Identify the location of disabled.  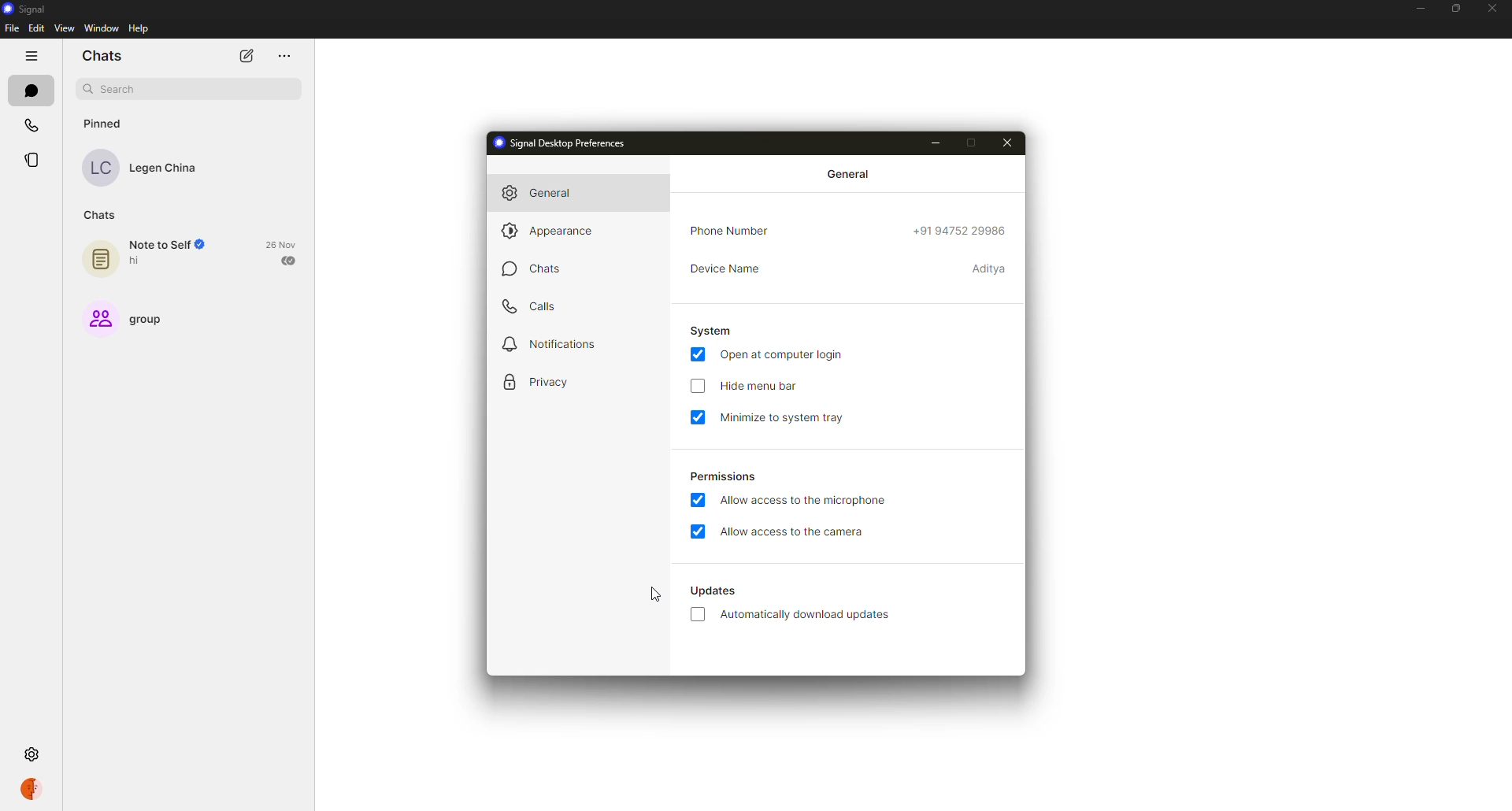
(699, 615).